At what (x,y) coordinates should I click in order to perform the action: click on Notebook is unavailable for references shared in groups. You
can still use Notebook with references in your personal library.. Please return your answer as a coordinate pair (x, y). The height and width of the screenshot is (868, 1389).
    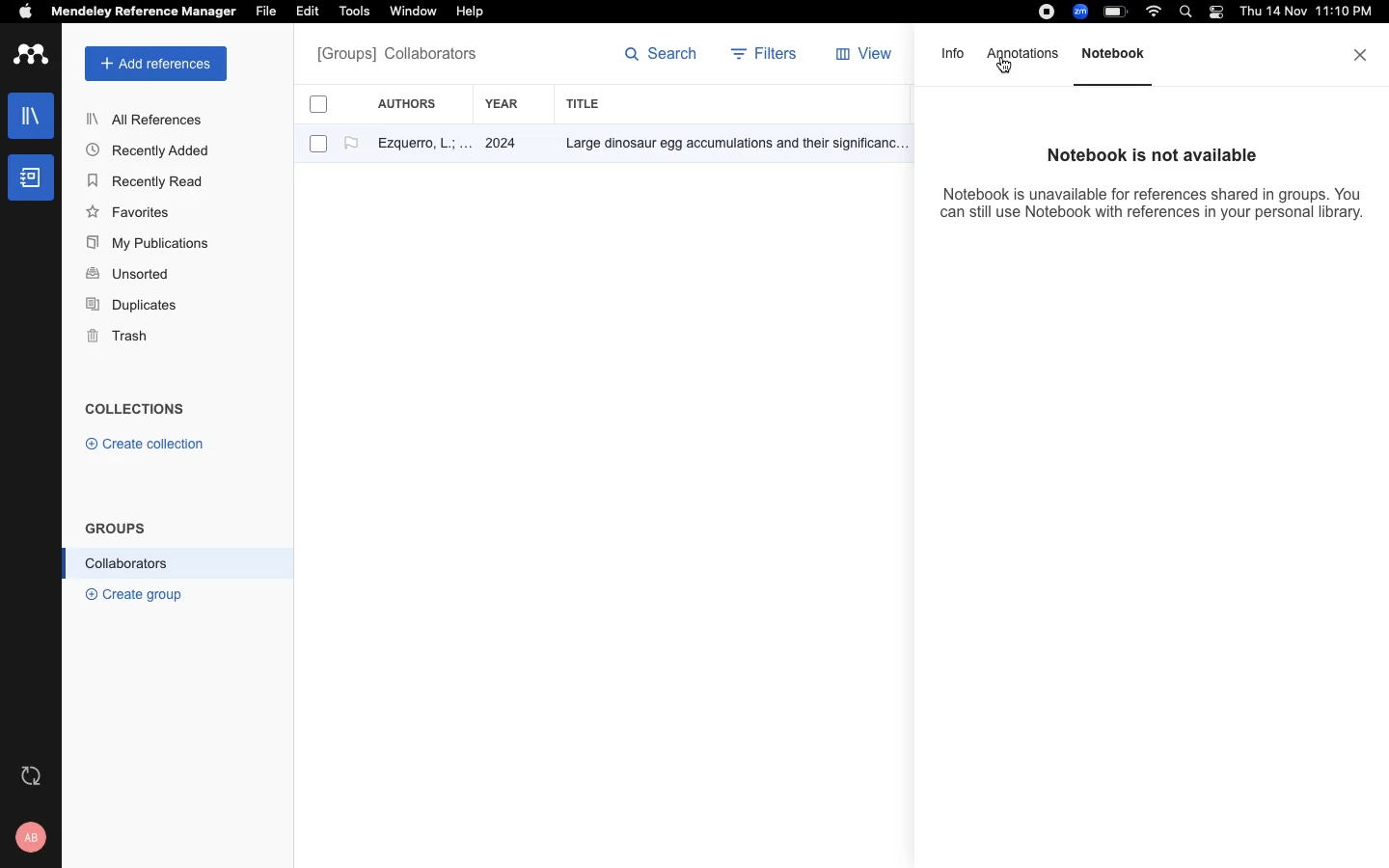
    Looking at the image, I should click on (1153, 212).